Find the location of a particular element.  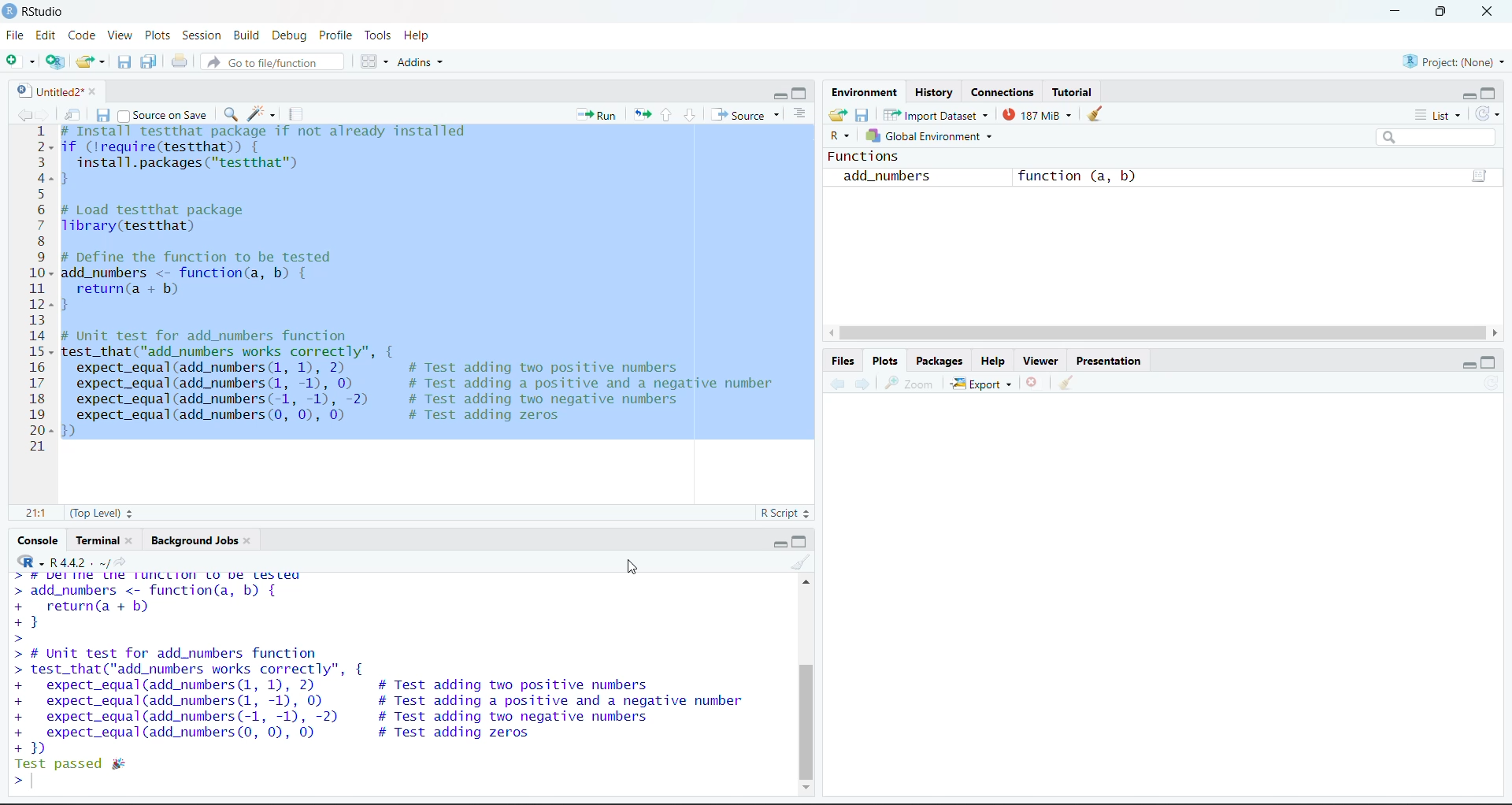

Addins is located at coordinates (422, 63).